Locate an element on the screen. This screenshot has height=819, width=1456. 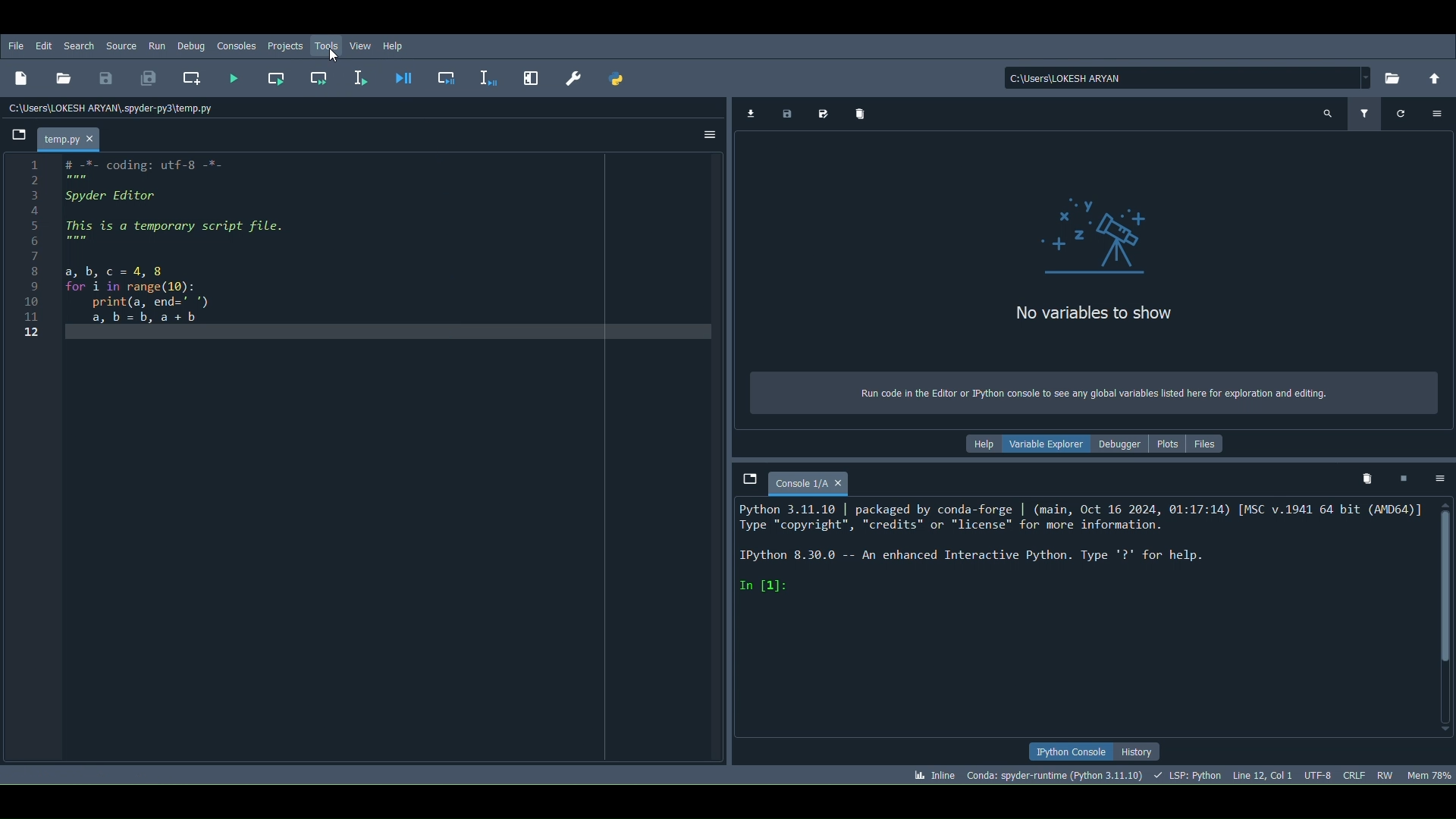
Run file (F5) is located at coordinates (234, 77).